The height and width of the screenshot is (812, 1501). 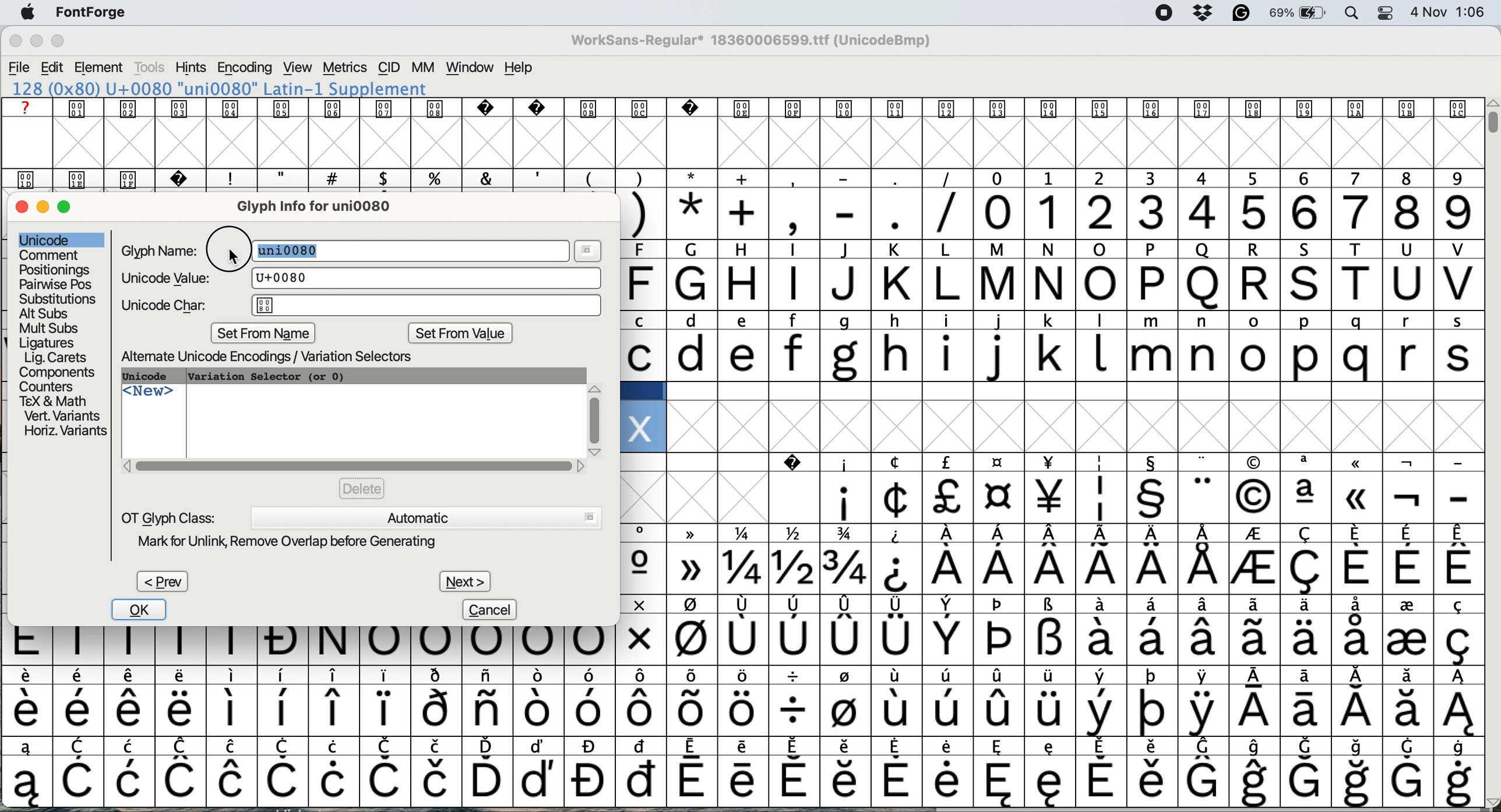 I want to click on ligatures, so click(x=50, y=341).